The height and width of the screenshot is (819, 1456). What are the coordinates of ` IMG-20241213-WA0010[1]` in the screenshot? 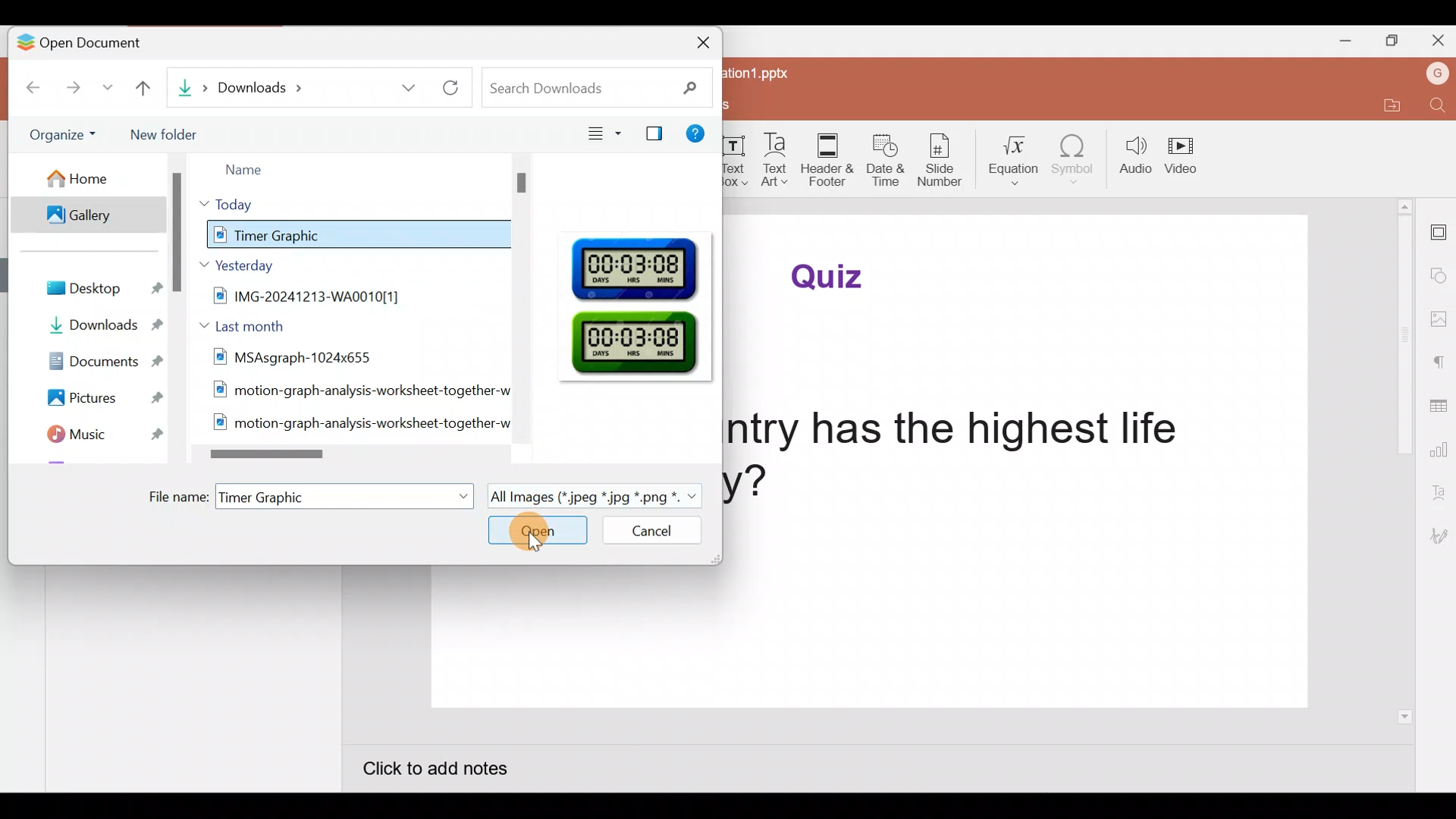 It's located at (345, 296).